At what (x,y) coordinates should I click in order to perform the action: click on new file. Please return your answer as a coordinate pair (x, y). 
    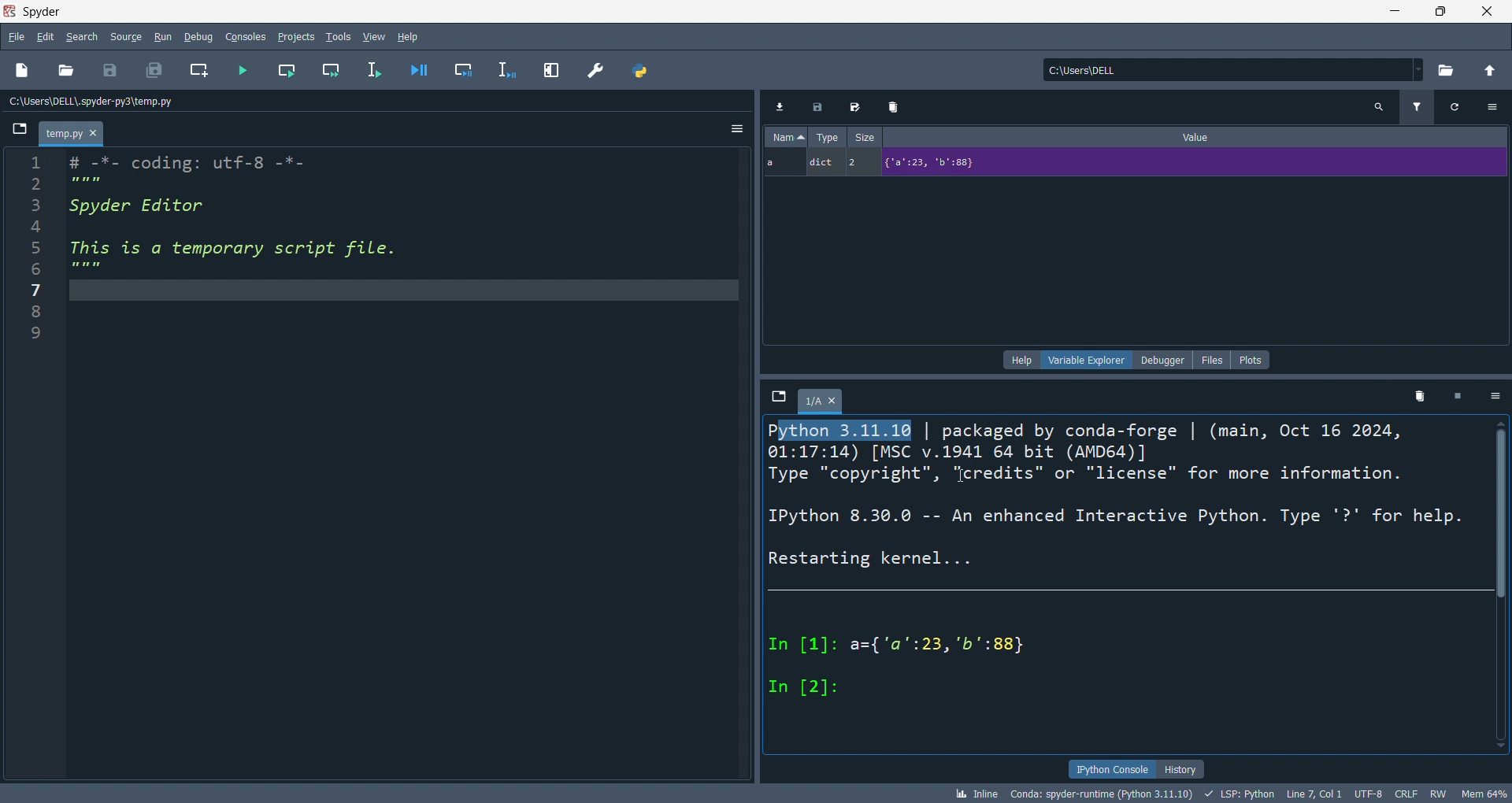
    Looking at the image, I should click on (23, 68).